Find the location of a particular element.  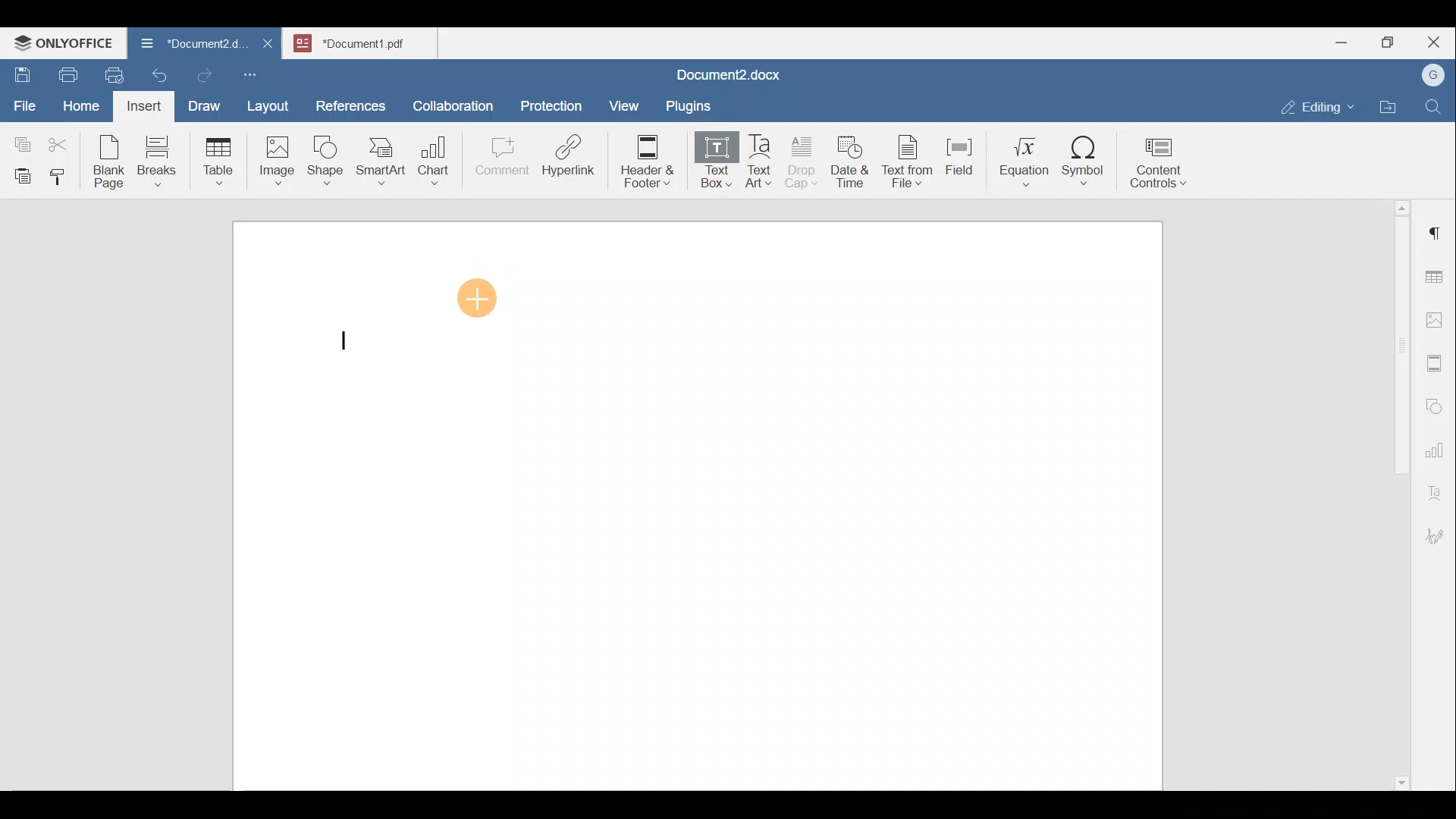

Customize quick access toolbar is located at coordinates (256, 72).